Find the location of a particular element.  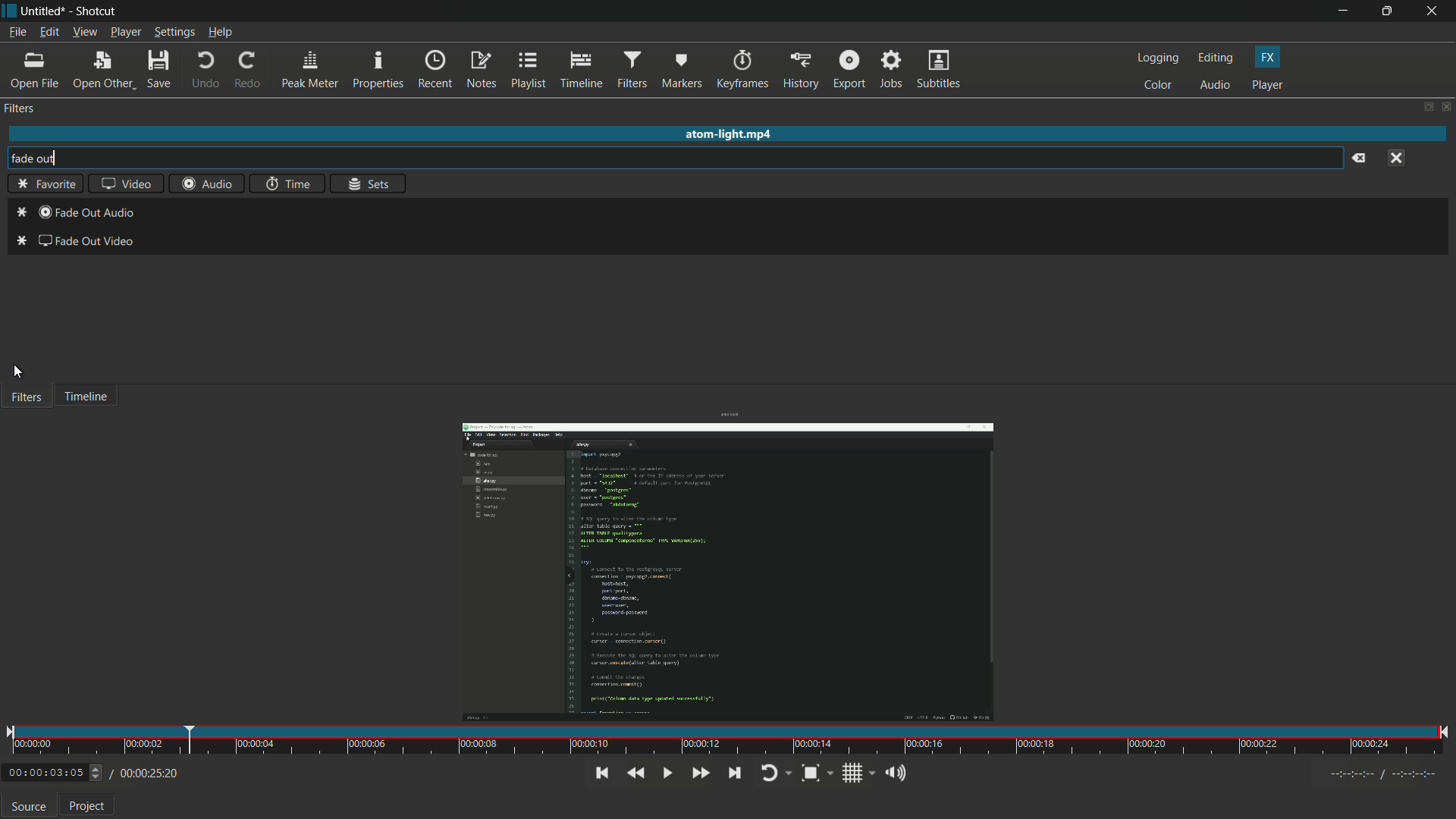

edit menu is located at coordinates (48, 33).